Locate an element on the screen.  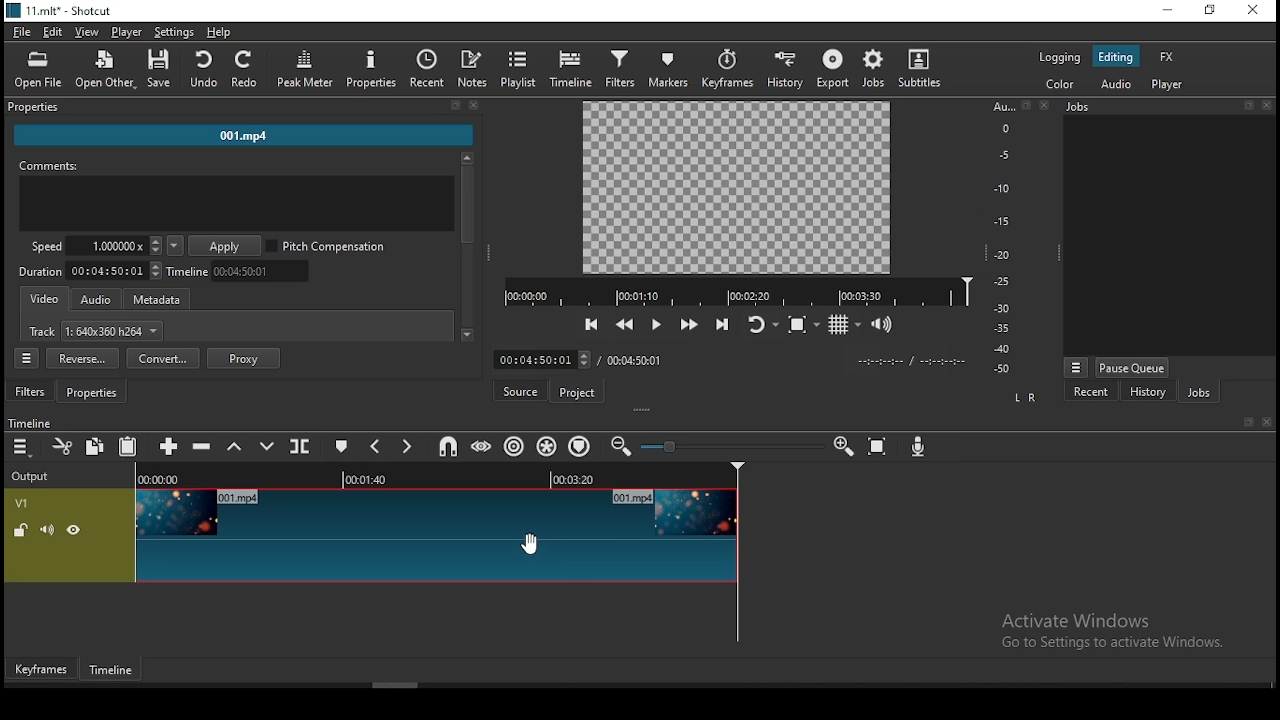
ripple is located at coordinates (513, 445).